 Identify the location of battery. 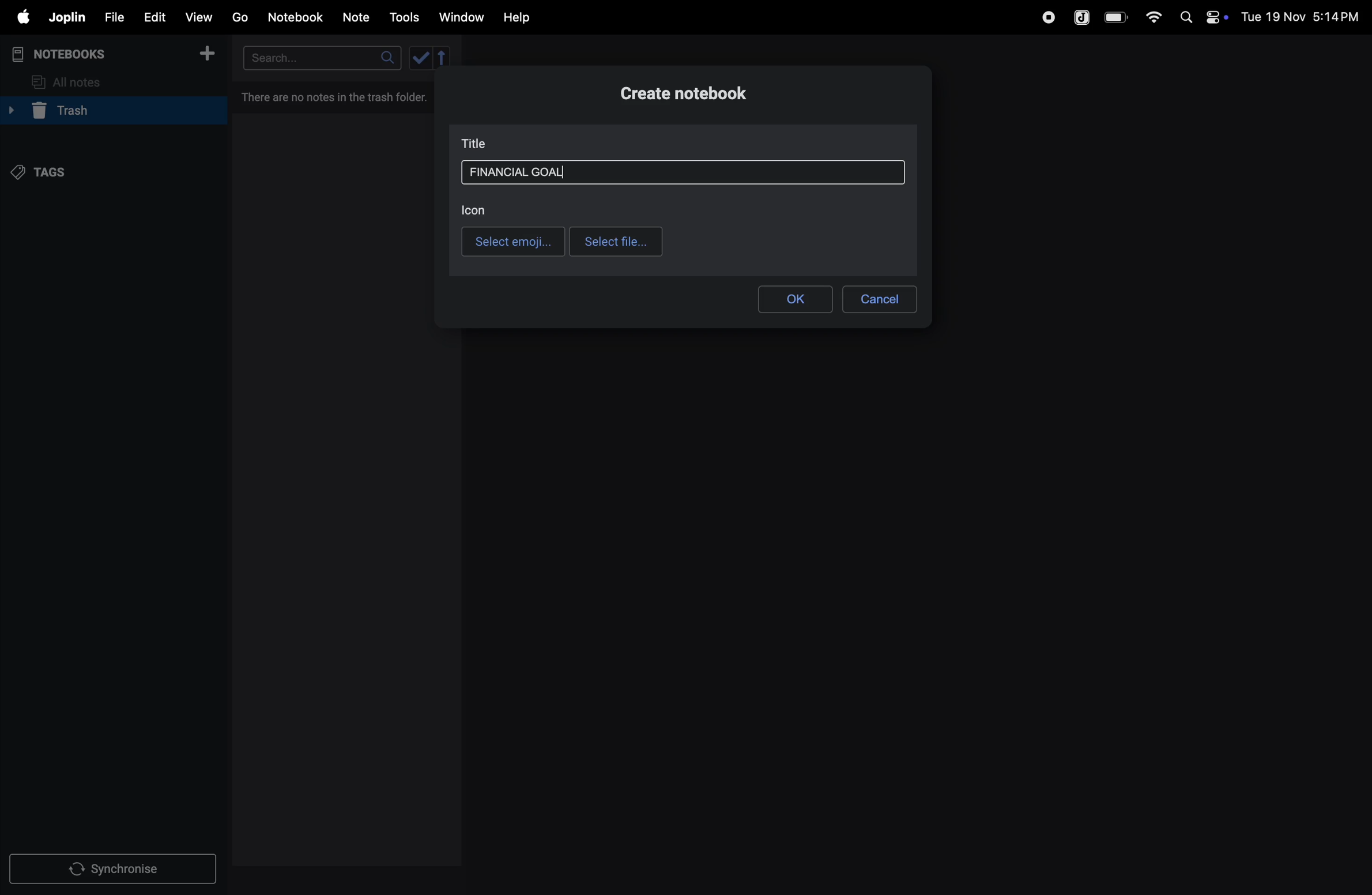
(1117, 17).